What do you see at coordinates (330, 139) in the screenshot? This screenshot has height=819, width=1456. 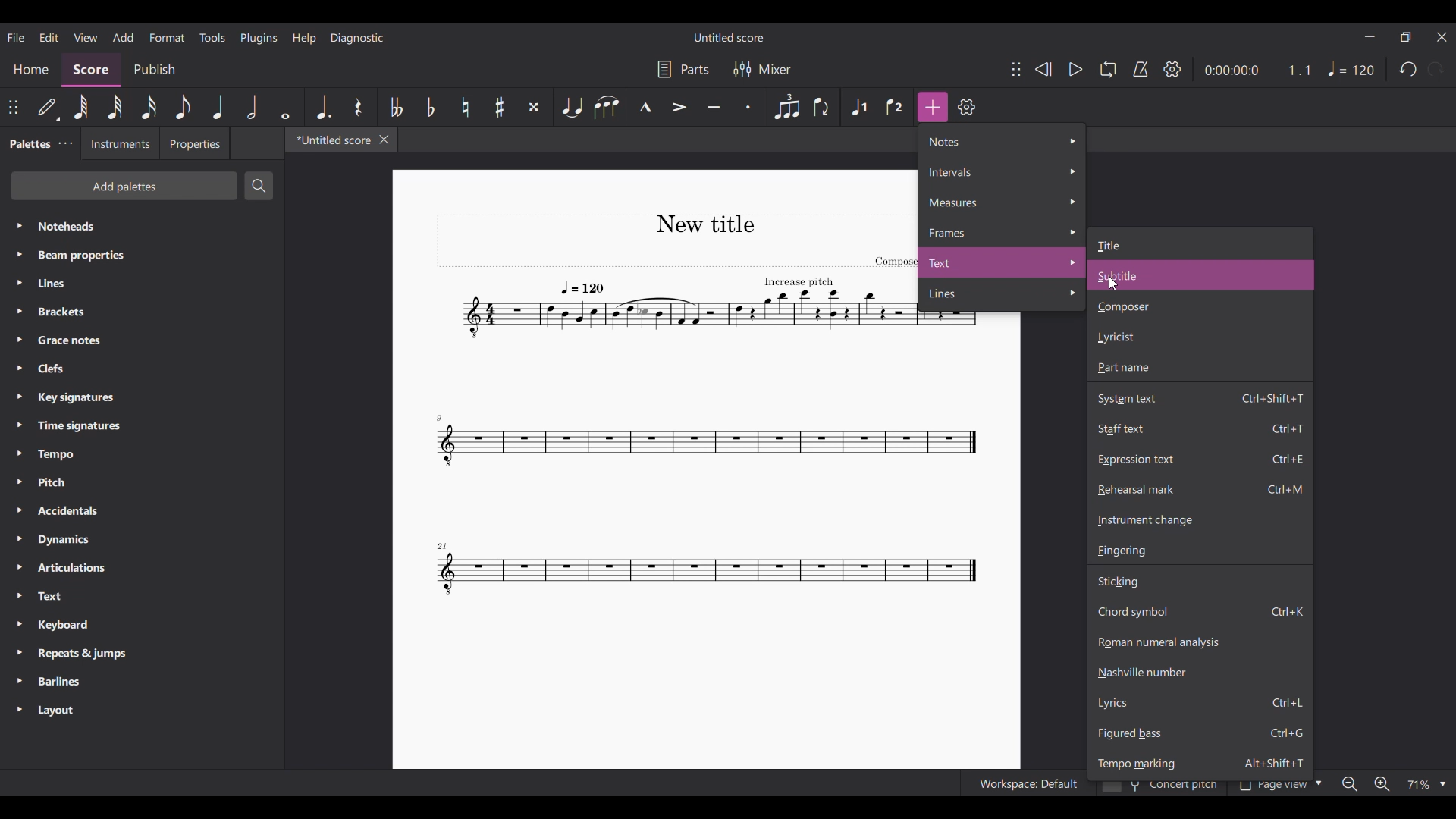 I see `*Untitled score, current tab` at bounding box center [330, 139].